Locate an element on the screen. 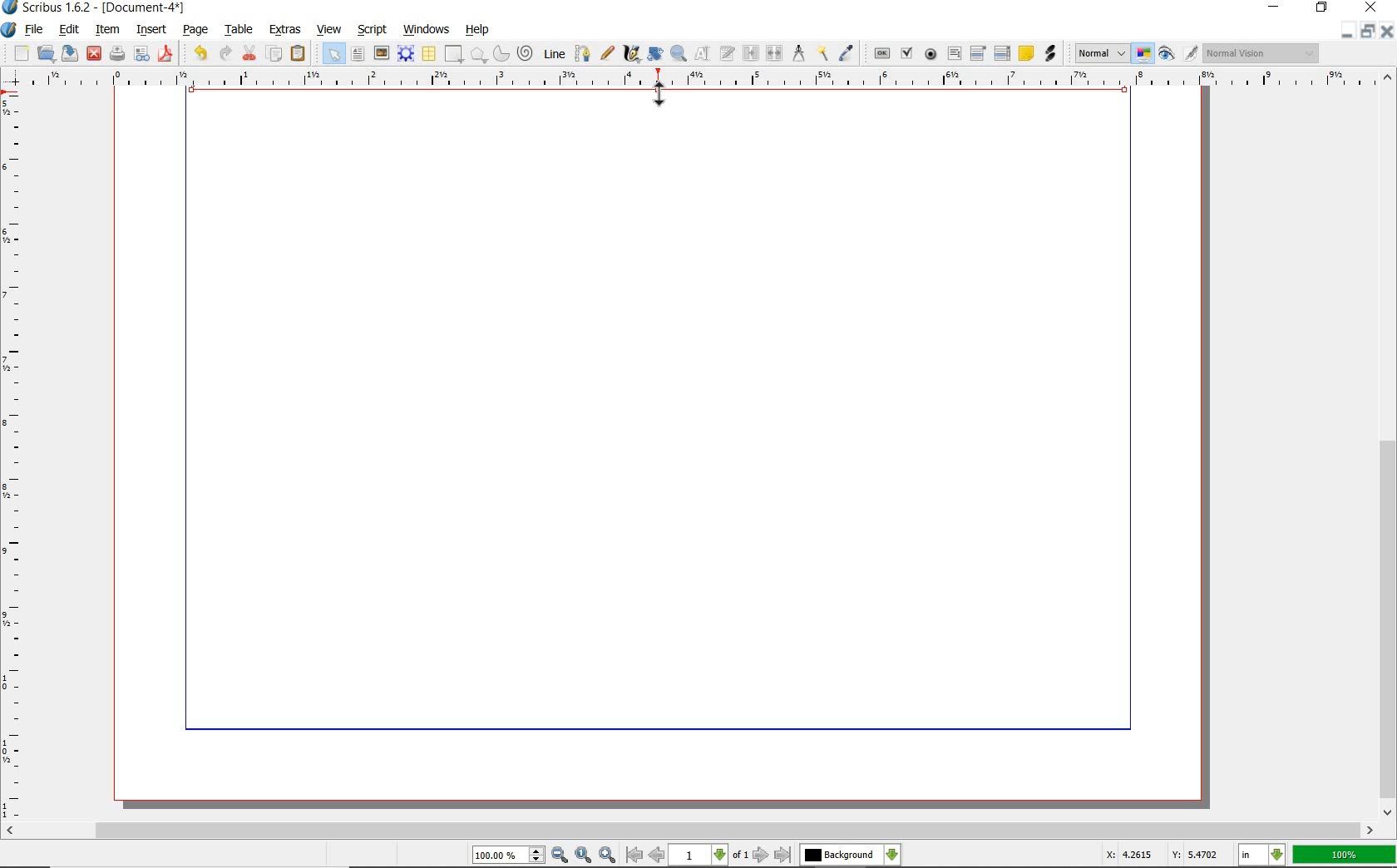 The image size is (1397, 868). in is located at coordinates (1262, 855).